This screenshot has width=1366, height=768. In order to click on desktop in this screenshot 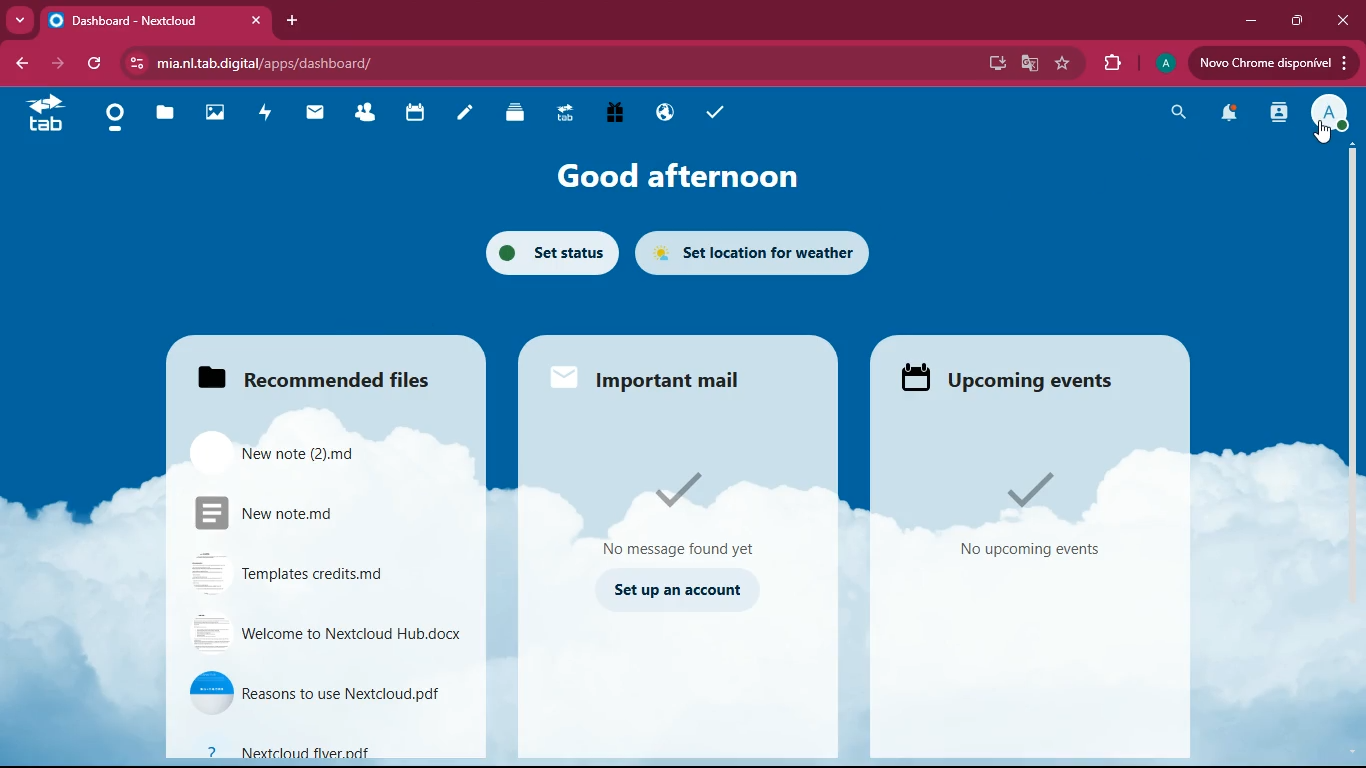, I will do `click(992, 64)`.